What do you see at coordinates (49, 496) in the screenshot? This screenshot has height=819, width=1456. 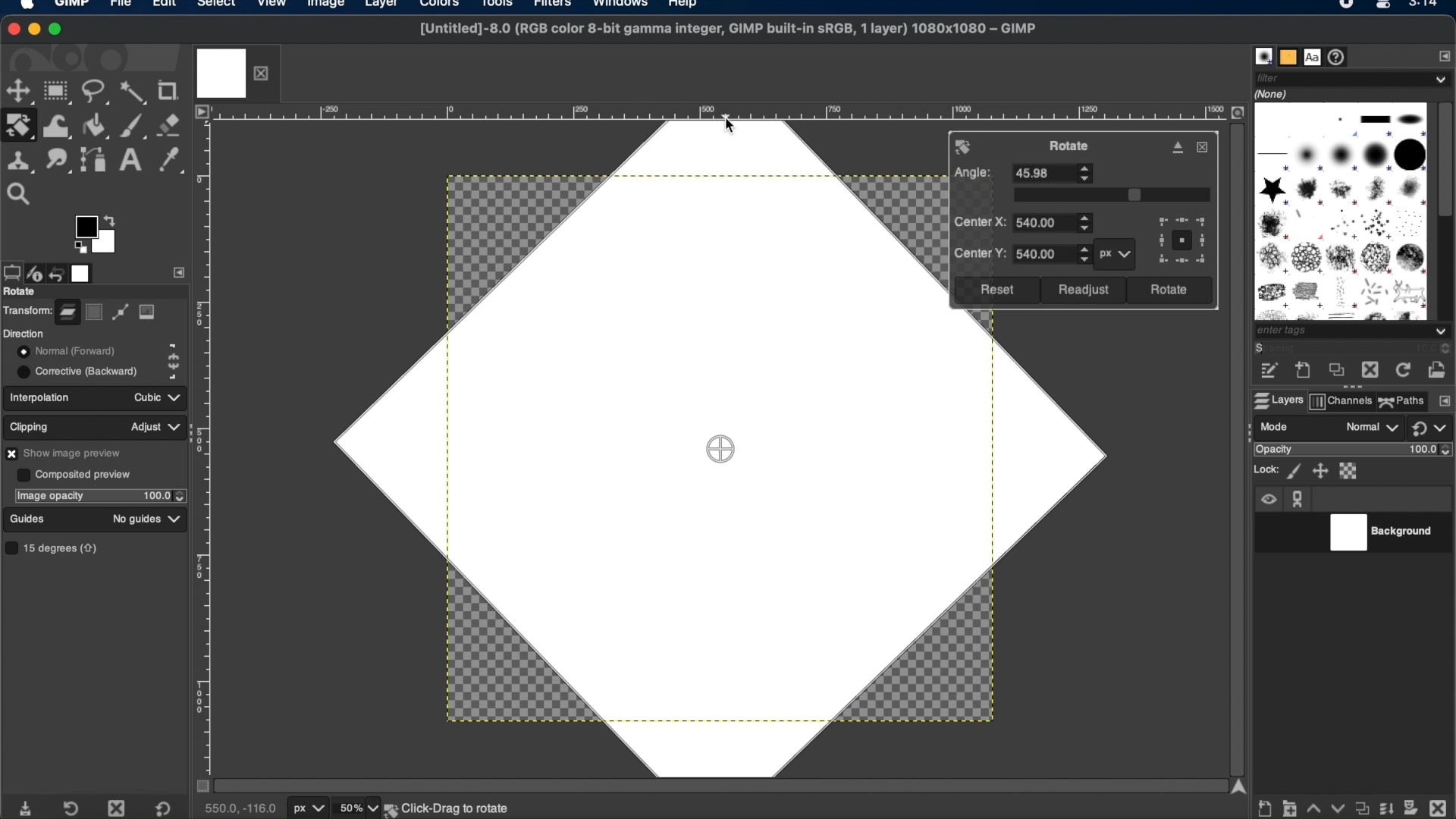 I see `image opacity` at bounding box center [49, 496].